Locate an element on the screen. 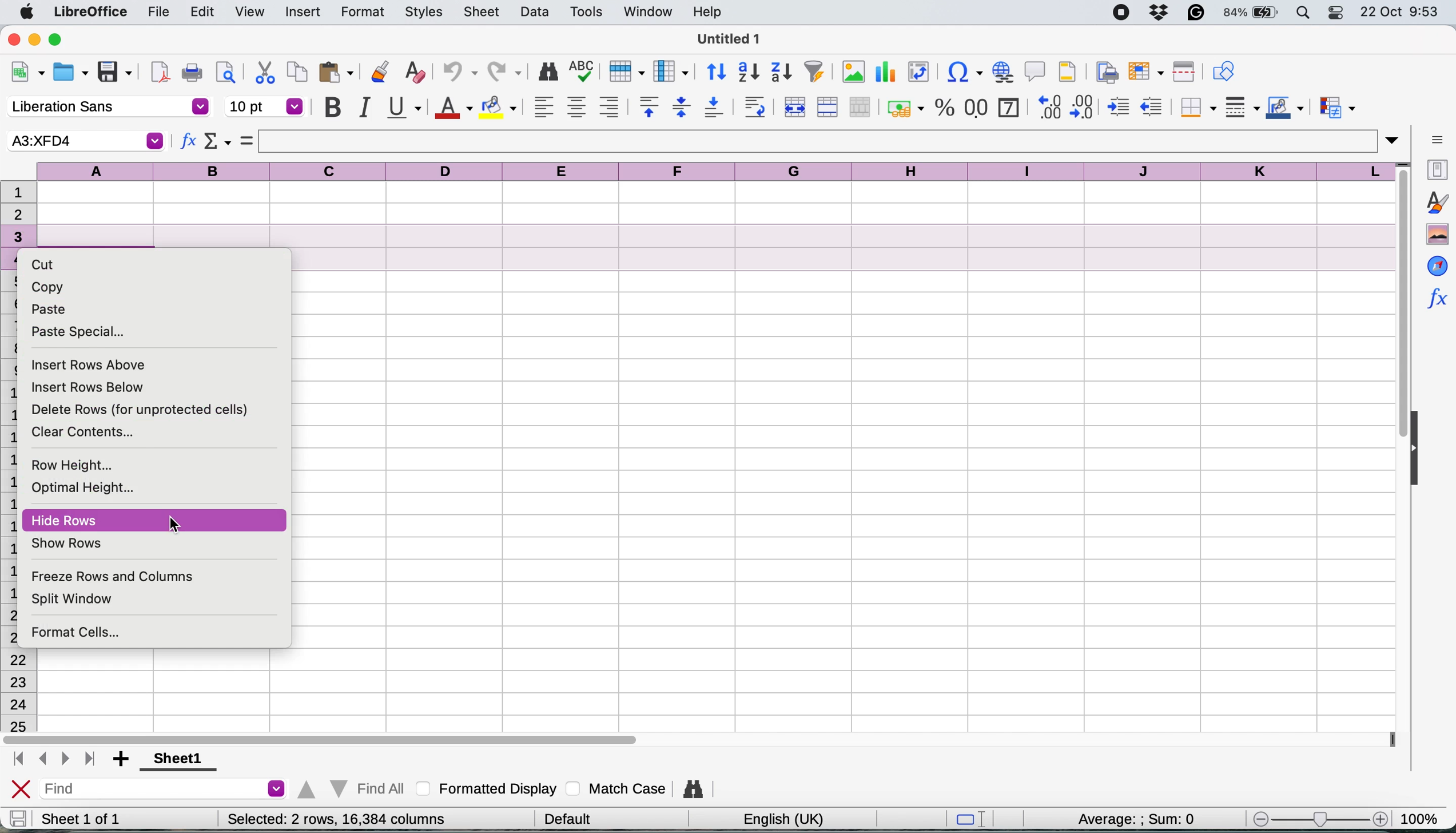 This screenshot has height=833, width=1456. window is located at coordinates (647, 13).